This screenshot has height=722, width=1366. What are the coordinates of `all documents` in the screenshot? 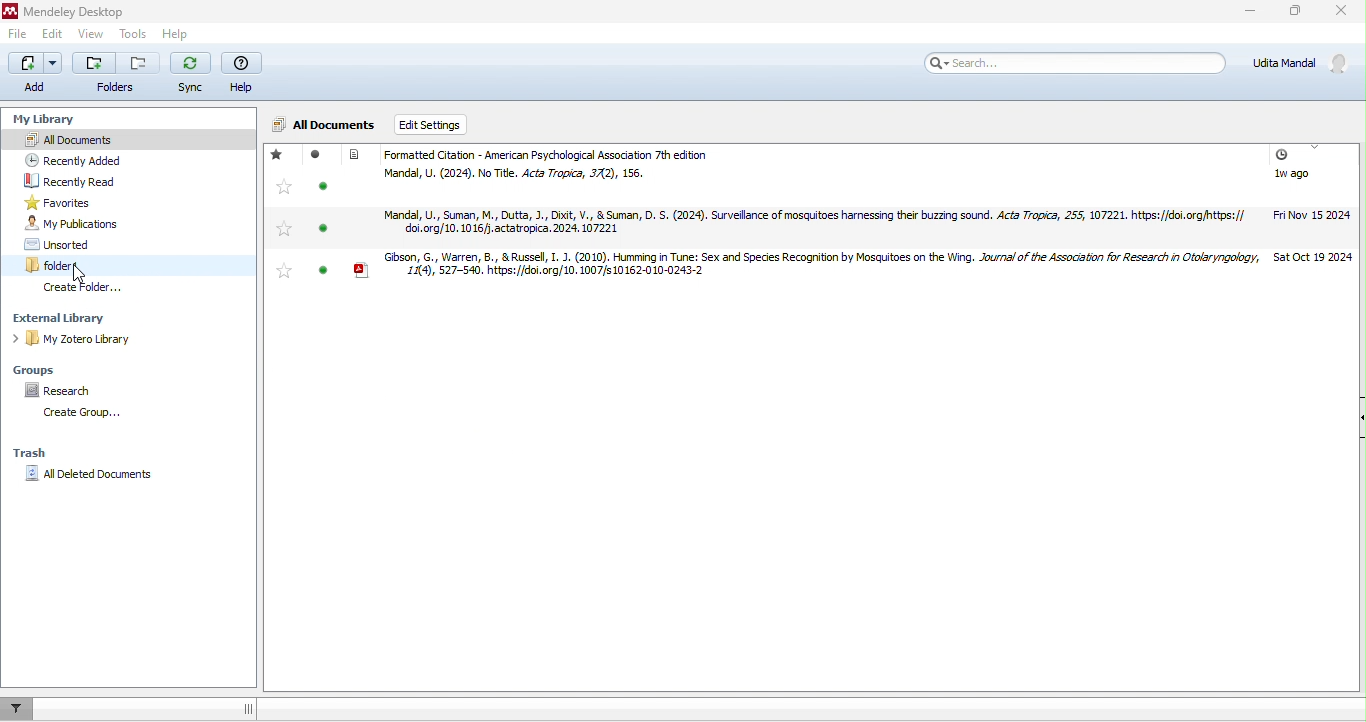 It's located at (105, 140).